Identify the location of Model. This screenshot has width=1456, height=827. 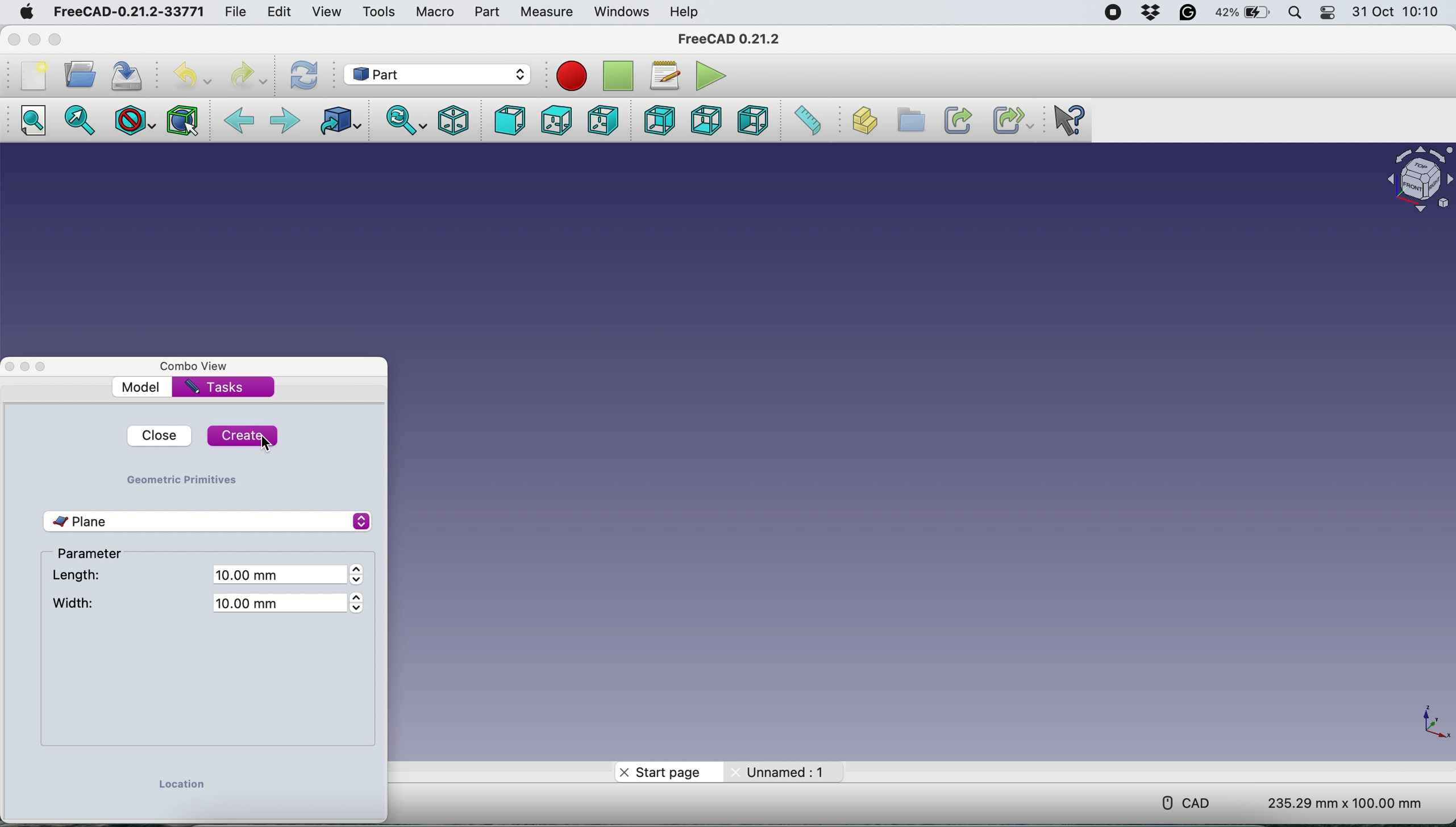
(144, 387).